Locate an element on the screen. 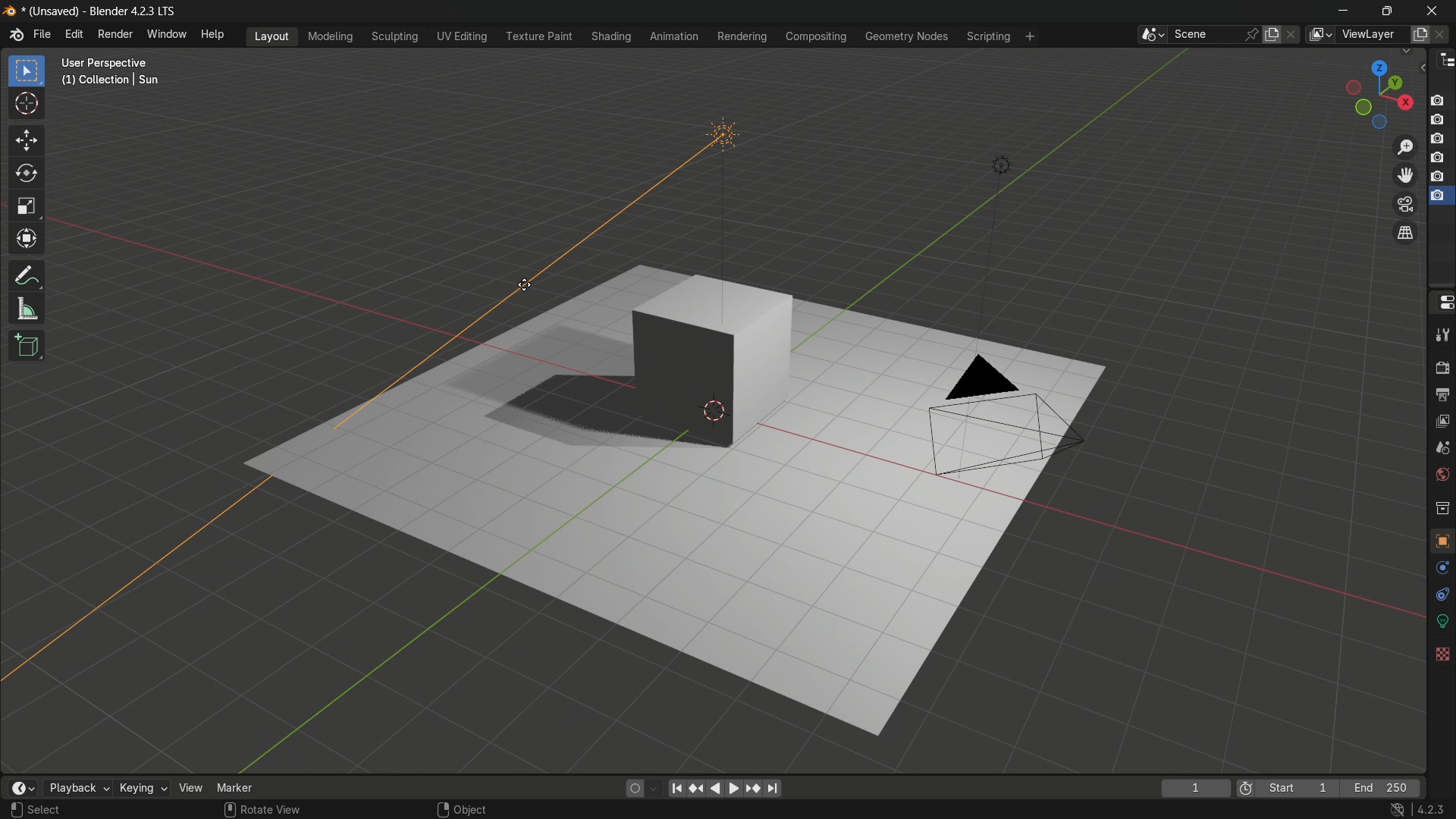 The width and height of the screenshot is (1456, 819). Select is located at coordinates (45, 810).